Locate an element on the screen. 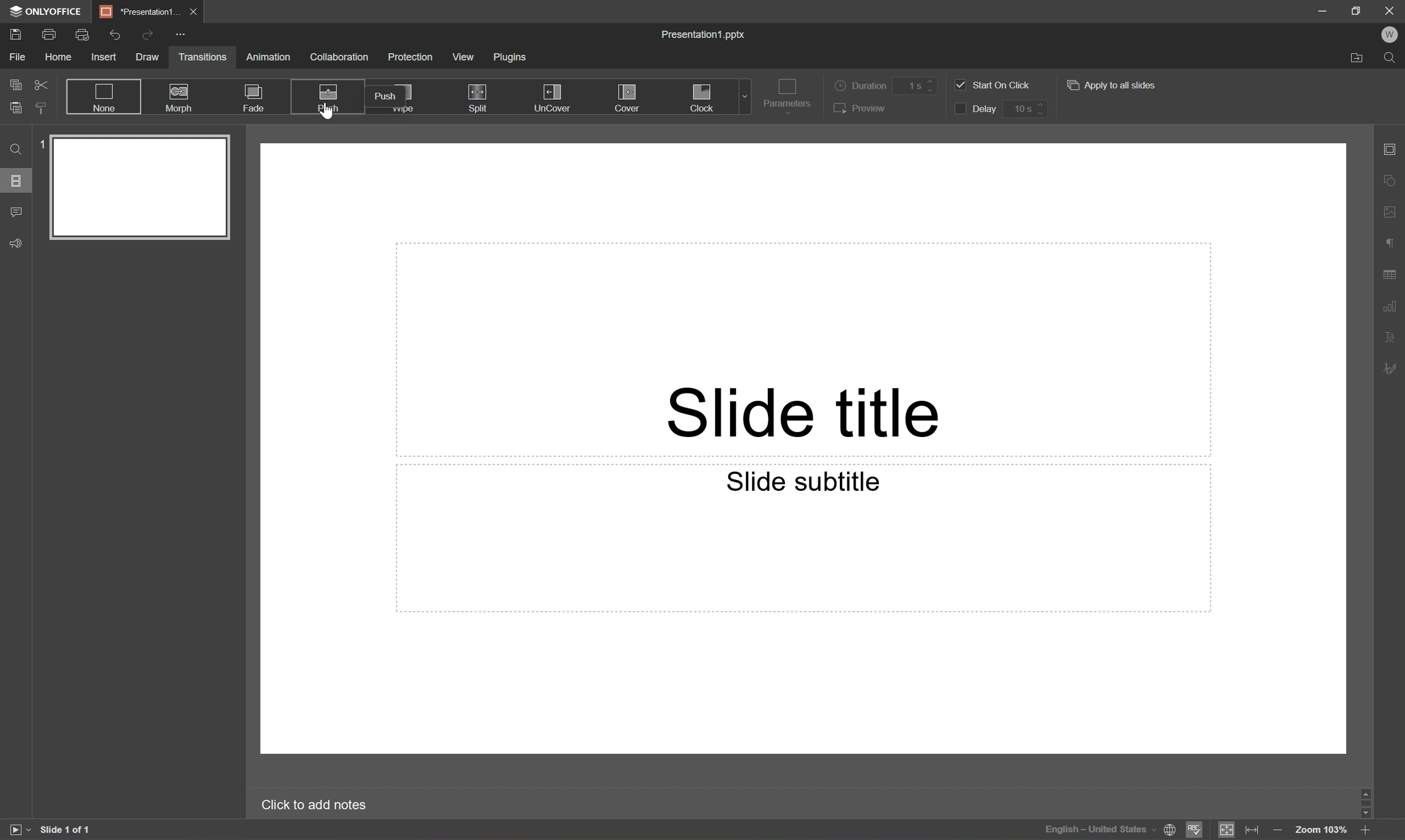 The width and height of the screenshot is (1405, 840). Transitions is located at coordinates (204, 57).